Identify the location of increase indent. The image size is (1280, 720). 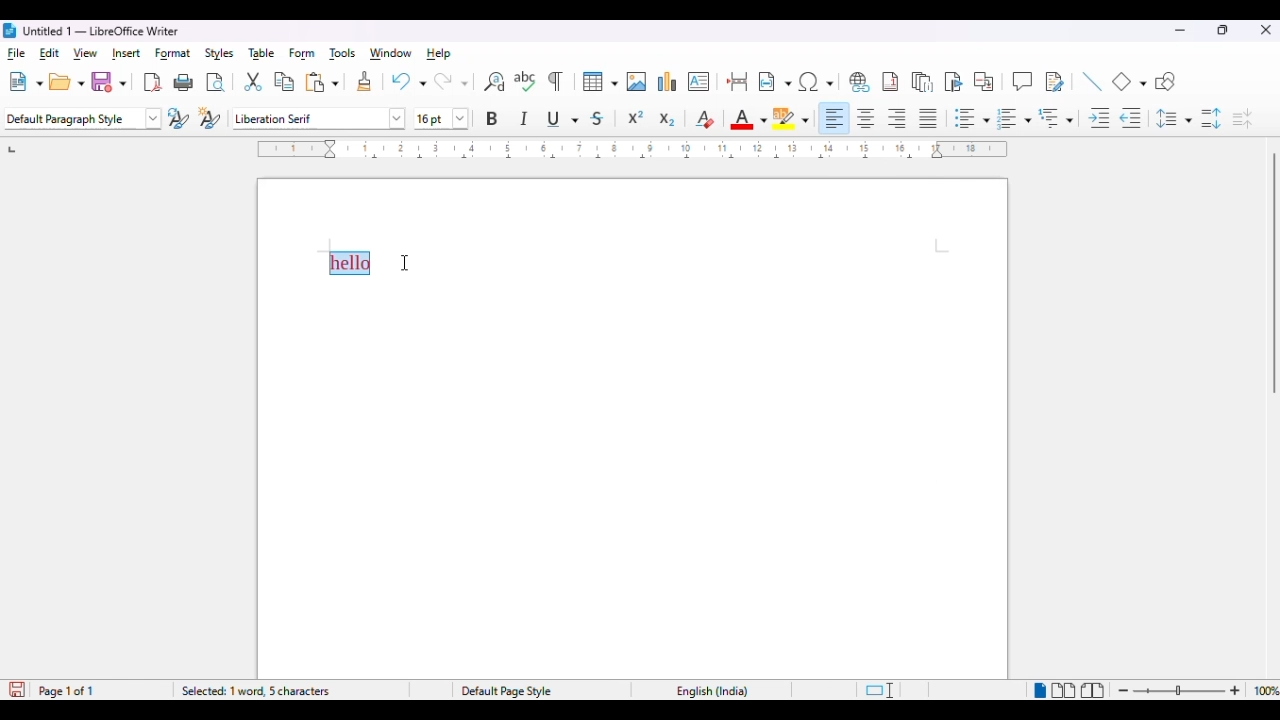
(1098, 119).